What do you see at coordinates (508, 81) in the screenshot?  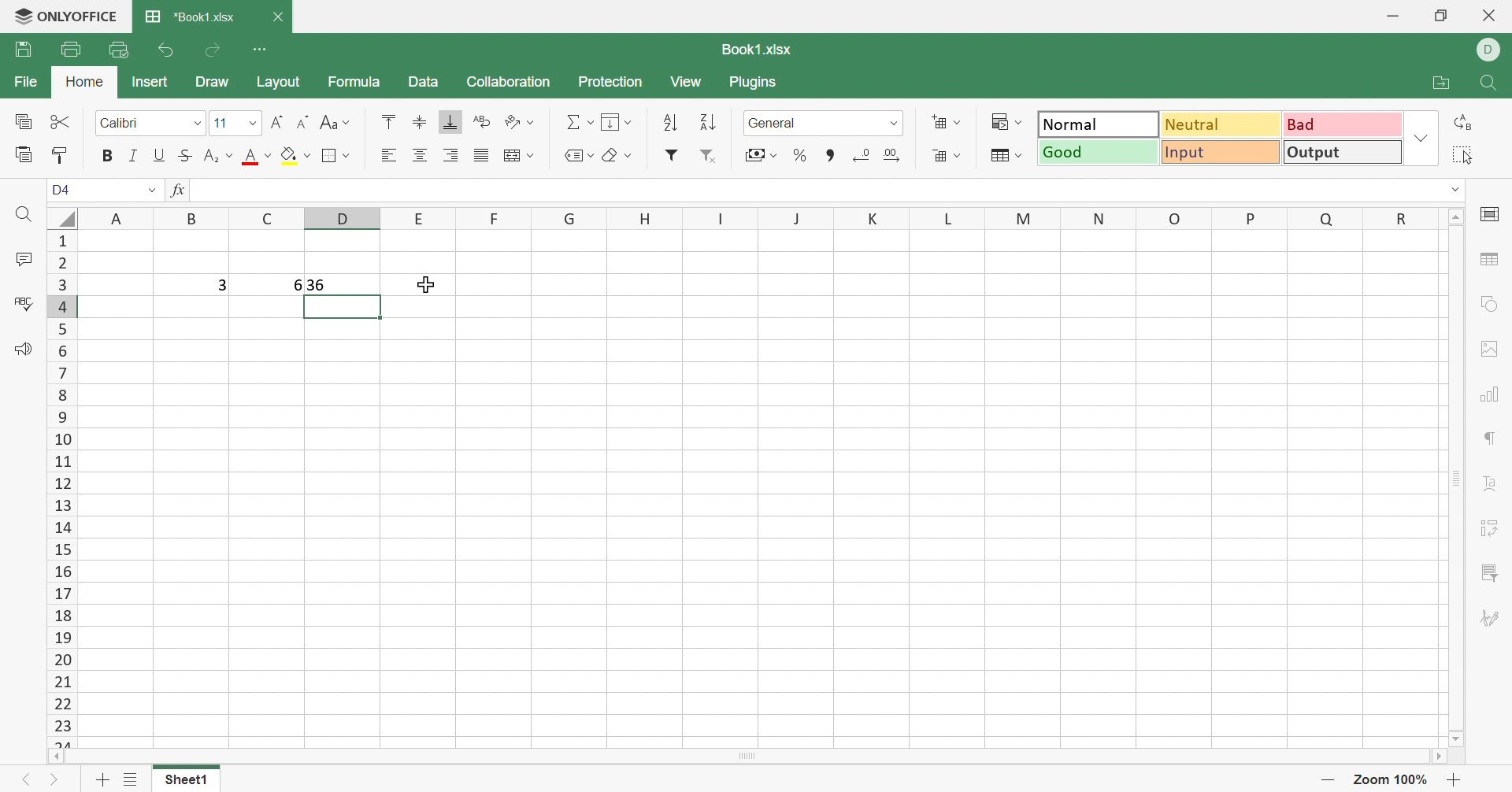 I see `Collaboration` at bounding box center [508, 81].